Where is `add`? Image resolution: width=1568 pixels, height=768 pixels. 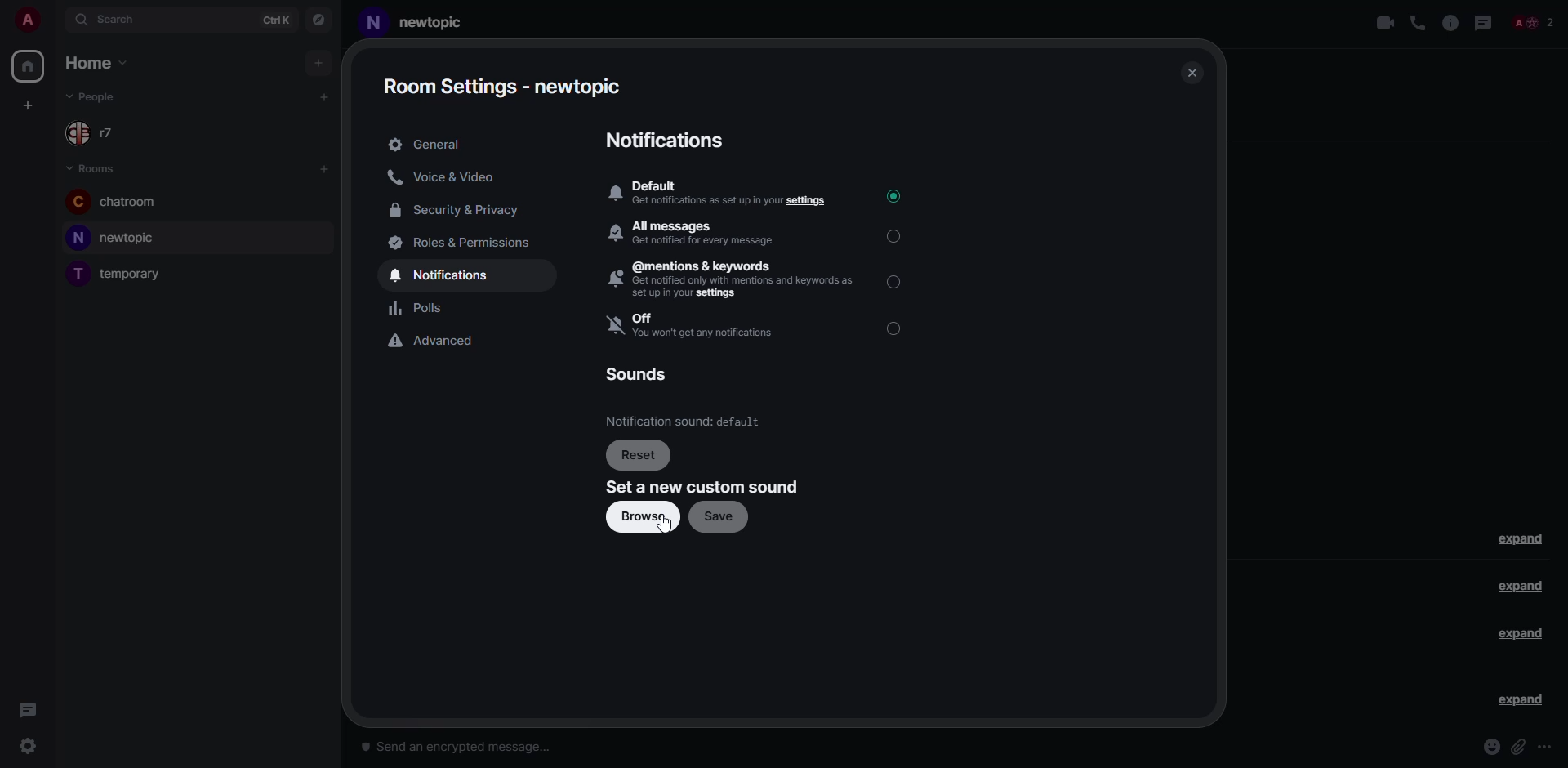
add is located at coordinates (324, 95).